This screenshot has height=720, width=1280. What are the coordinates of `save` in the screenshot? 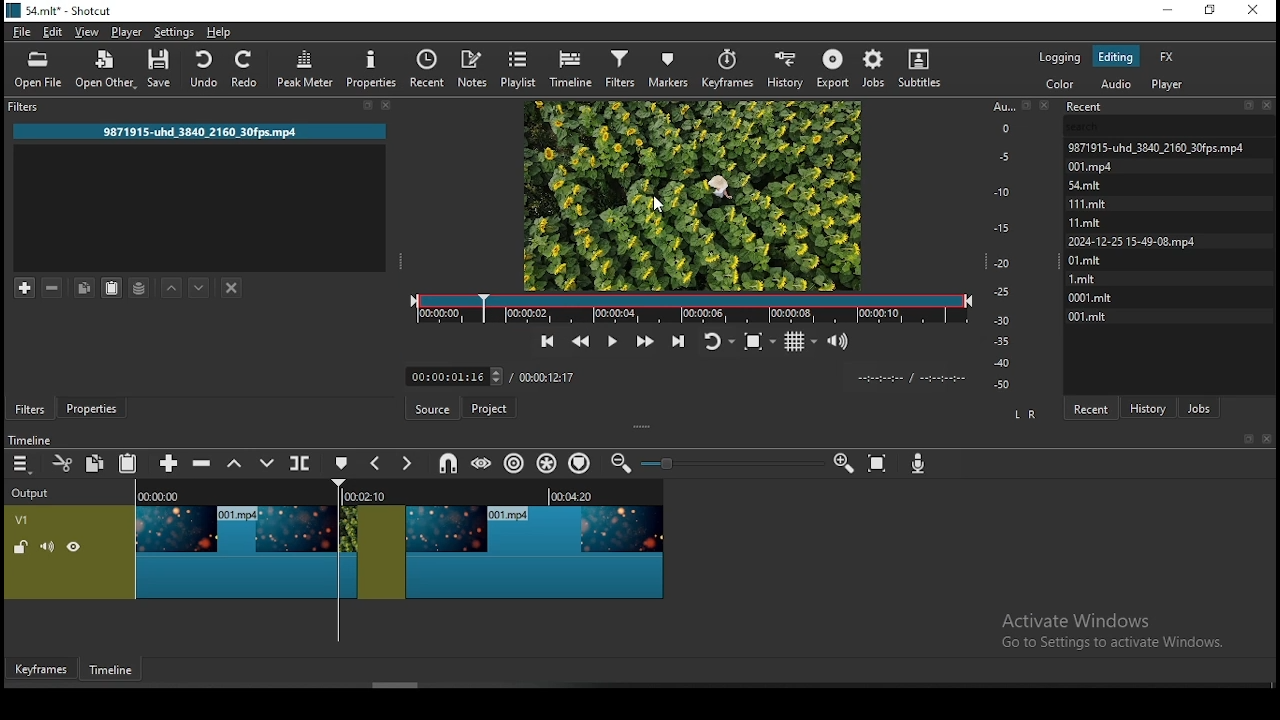 It's located at (162, 70).